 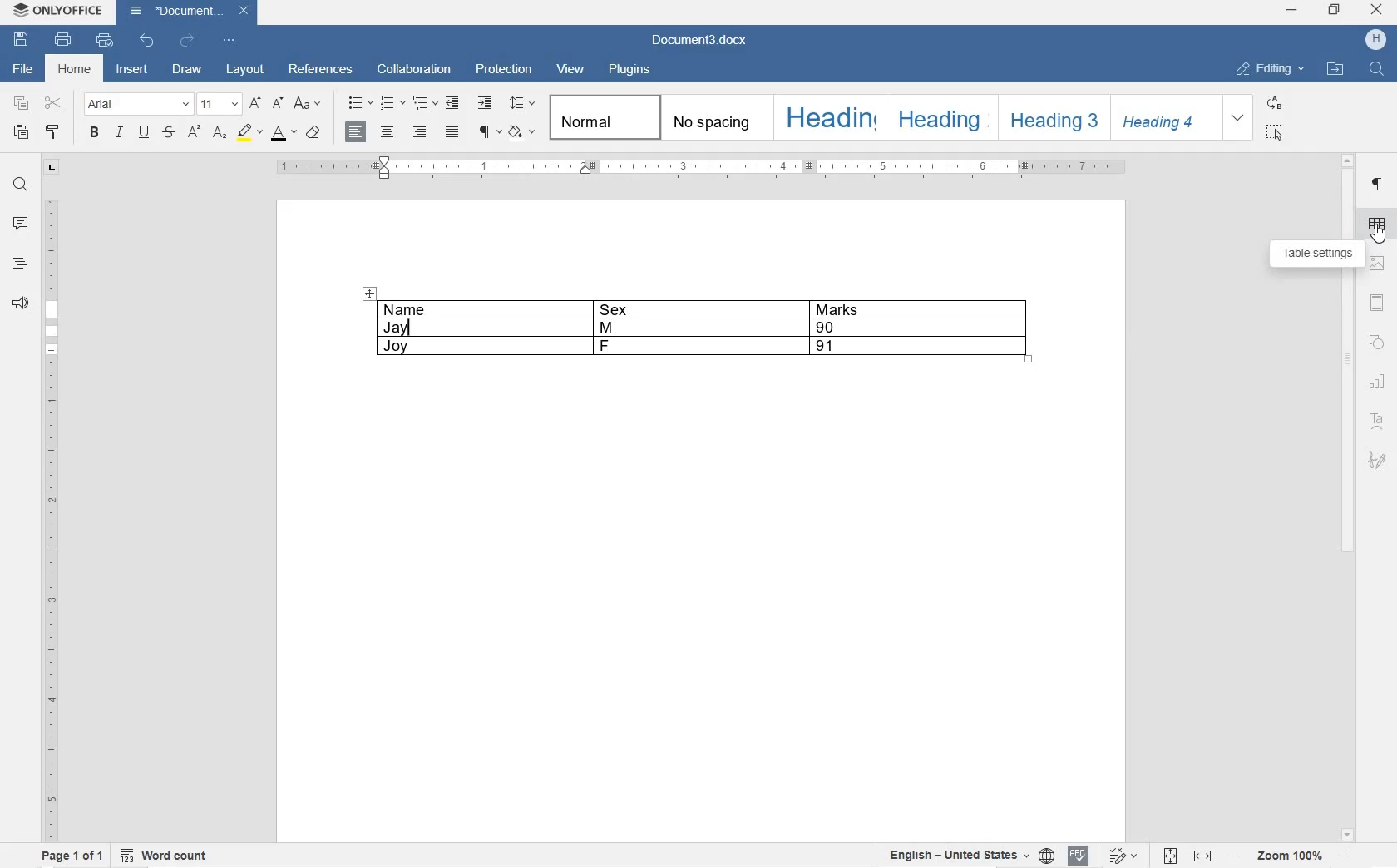 What do you see at coordinates (1291, 858) in the screenshot?
I see `ZOOM IN OR OUT` at bounding box center [1291, 858].